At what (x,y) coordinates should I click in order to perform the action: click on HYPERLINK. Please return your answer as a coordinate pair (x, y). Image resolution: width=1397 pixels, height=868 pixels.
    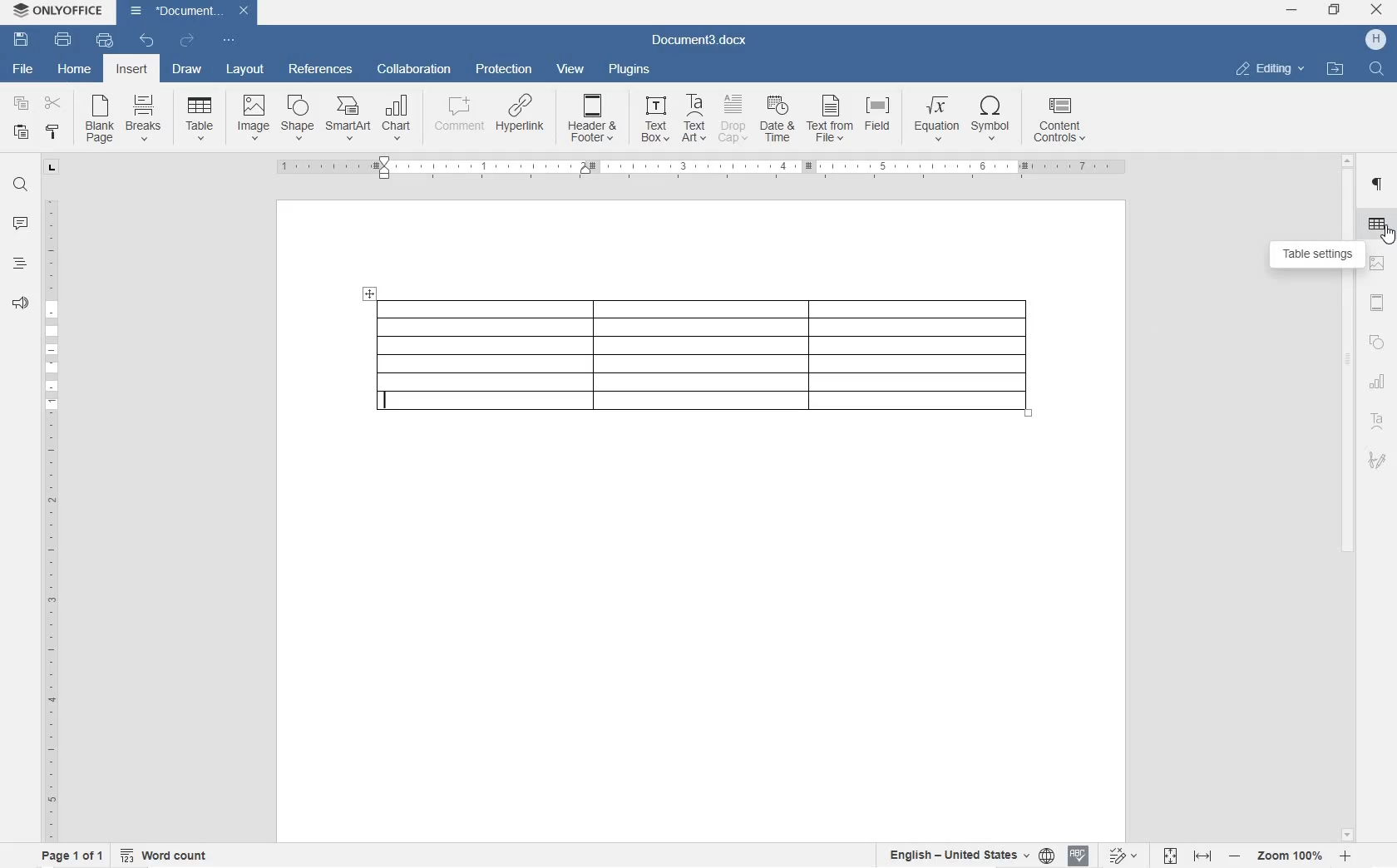
    Looking at the image, I should click on (522, 113).